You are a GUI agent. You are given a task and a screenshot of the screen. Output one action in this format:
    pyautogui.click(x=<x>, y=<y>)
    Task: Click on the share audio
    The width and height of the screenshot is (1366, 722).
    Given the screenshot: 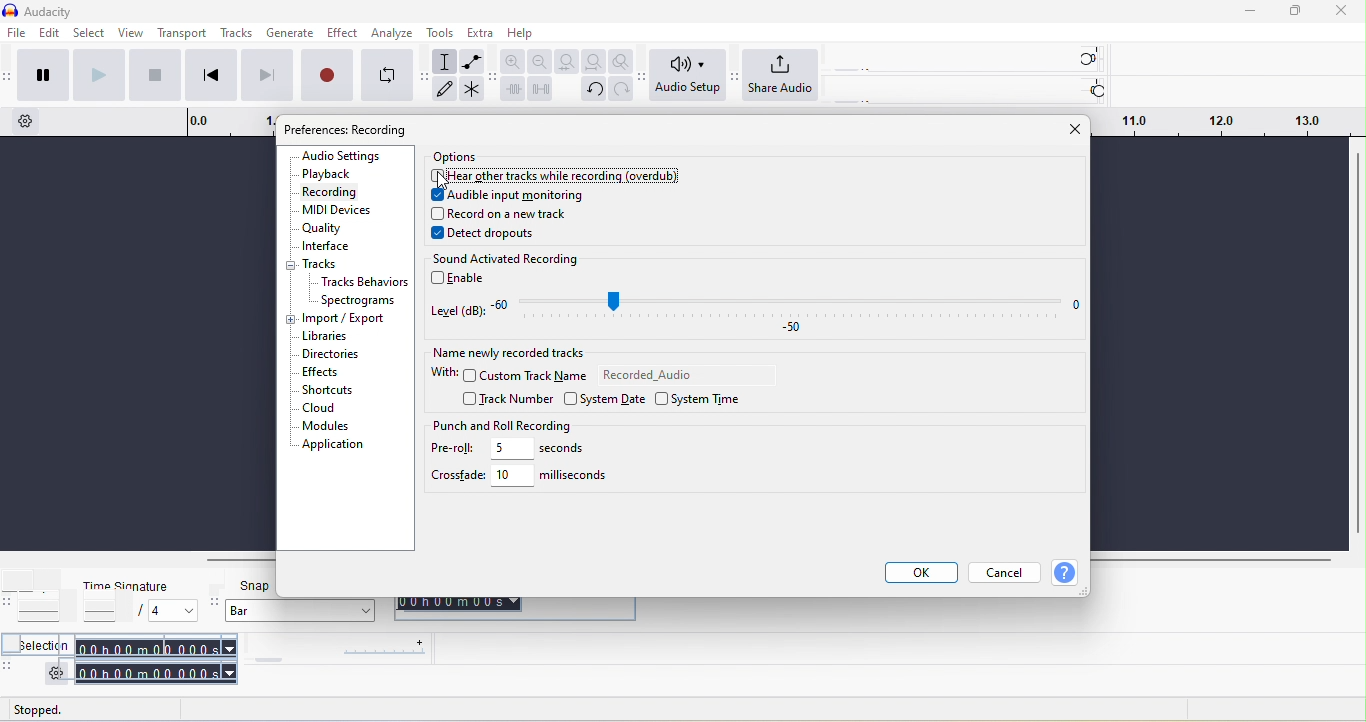 What is the action you would take?
    pyautogui.click(x=780, y=76)
    